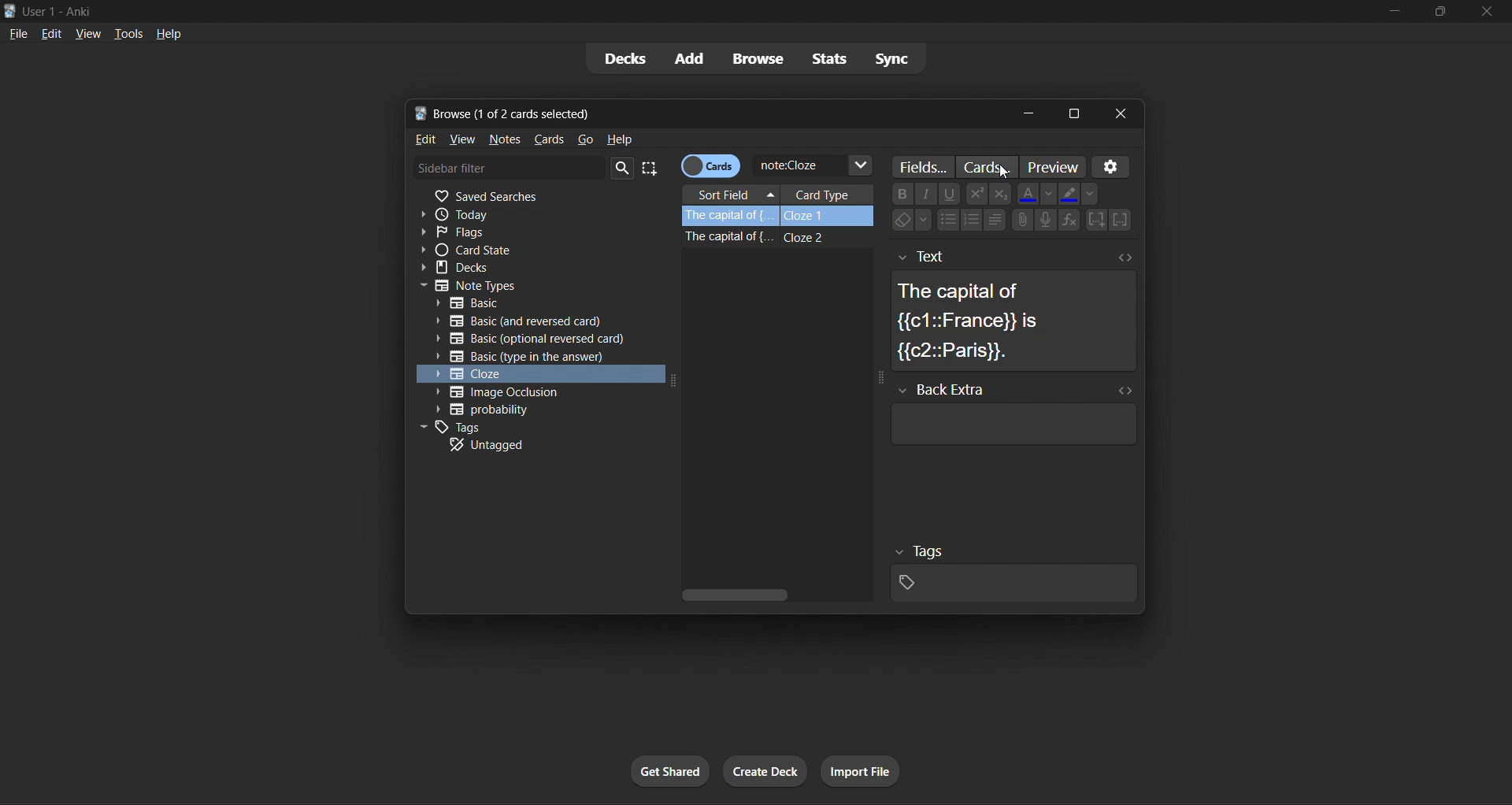 Image resolution: width=1512 pixels, height=805 pixels. I want to click on select all, so click(655, 169).